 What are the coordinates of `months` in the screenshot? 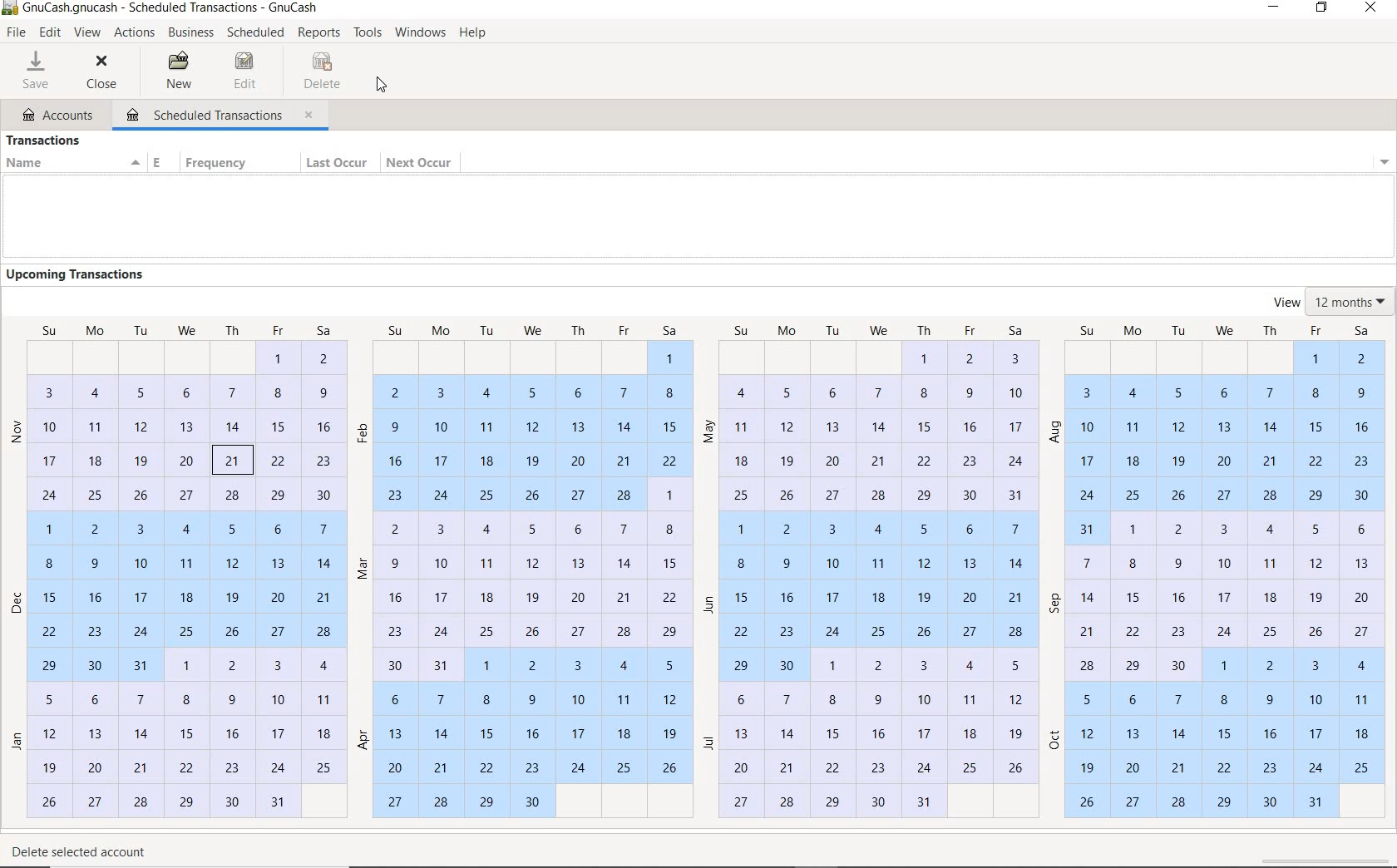 It's located at (707, 586).